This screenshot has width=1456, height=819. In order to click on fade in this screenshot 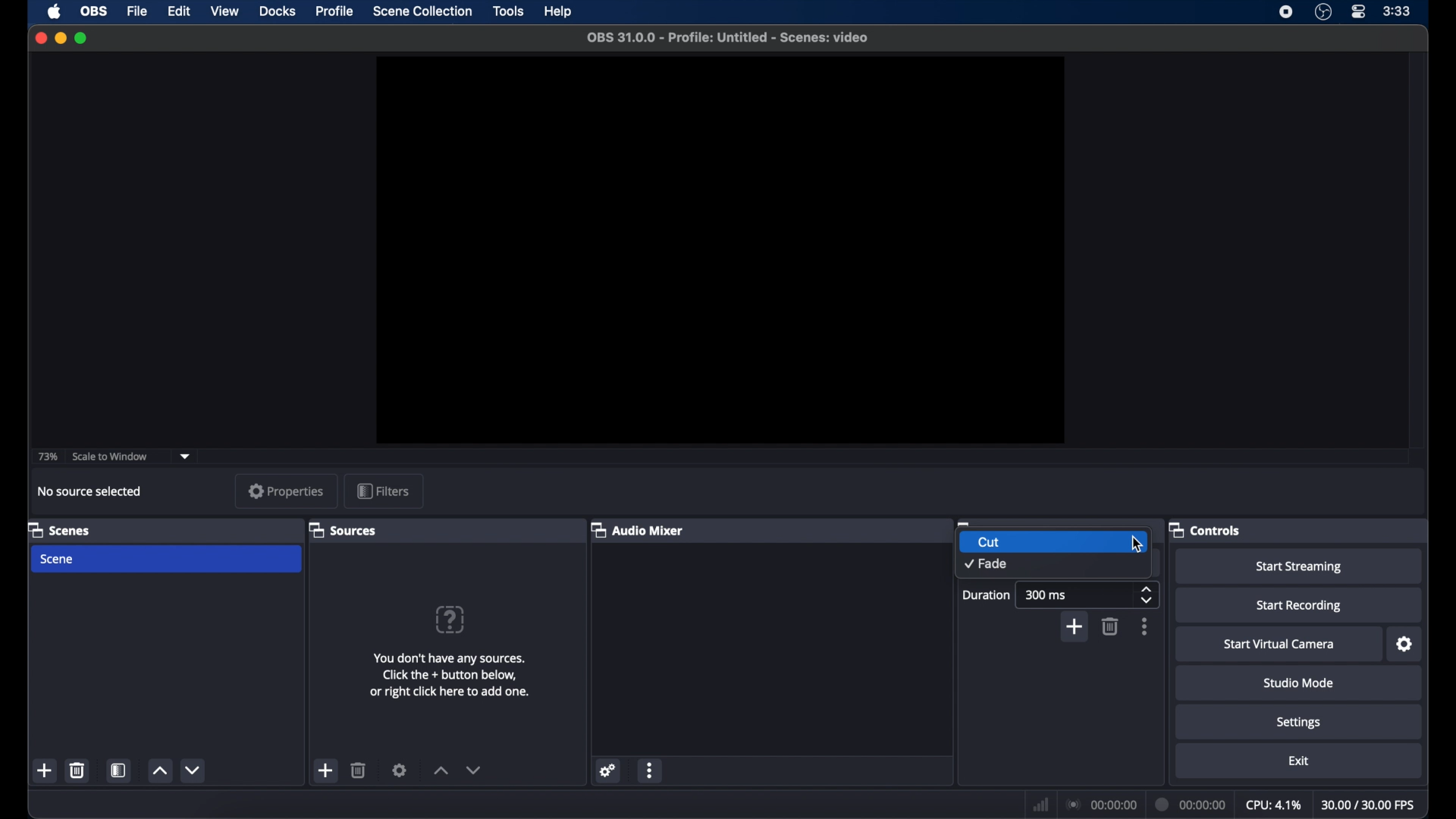, I will do `click(987, 564)`.